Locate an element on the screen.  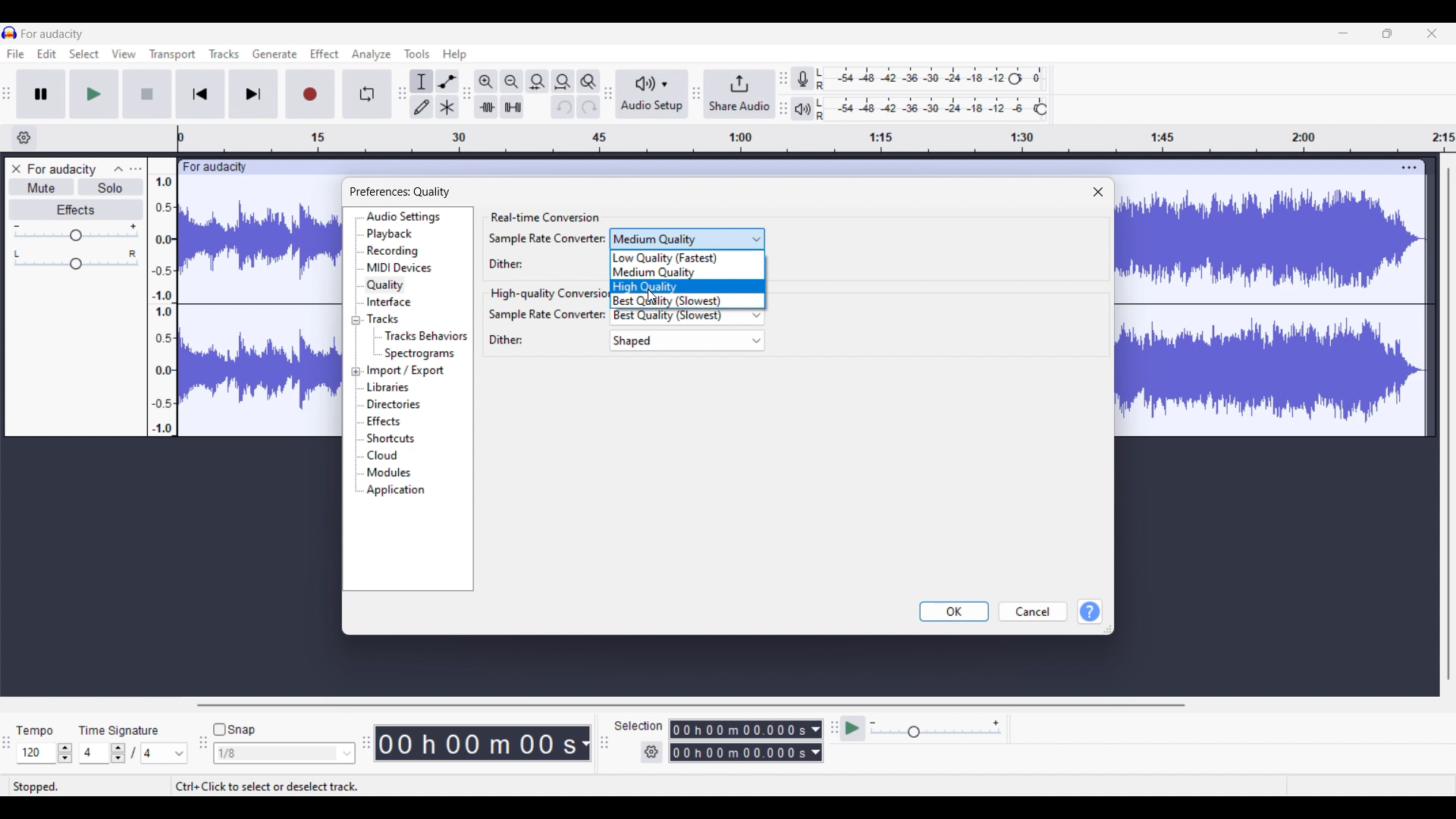
Play/Play once is located at coordinates (94, 93).